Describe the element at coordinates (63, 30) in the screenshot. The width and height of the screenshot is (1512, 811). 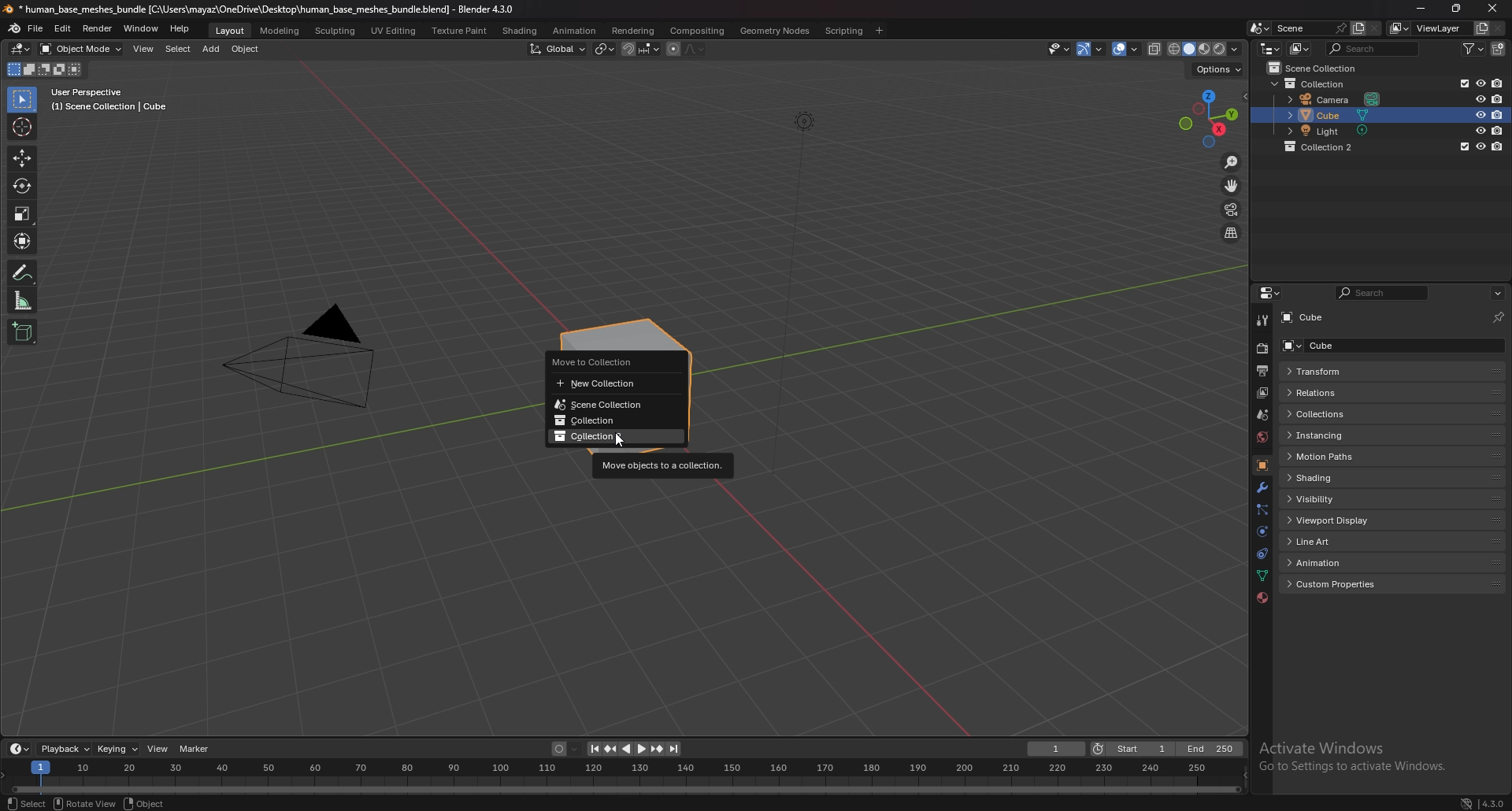
I see `edit` at that location.